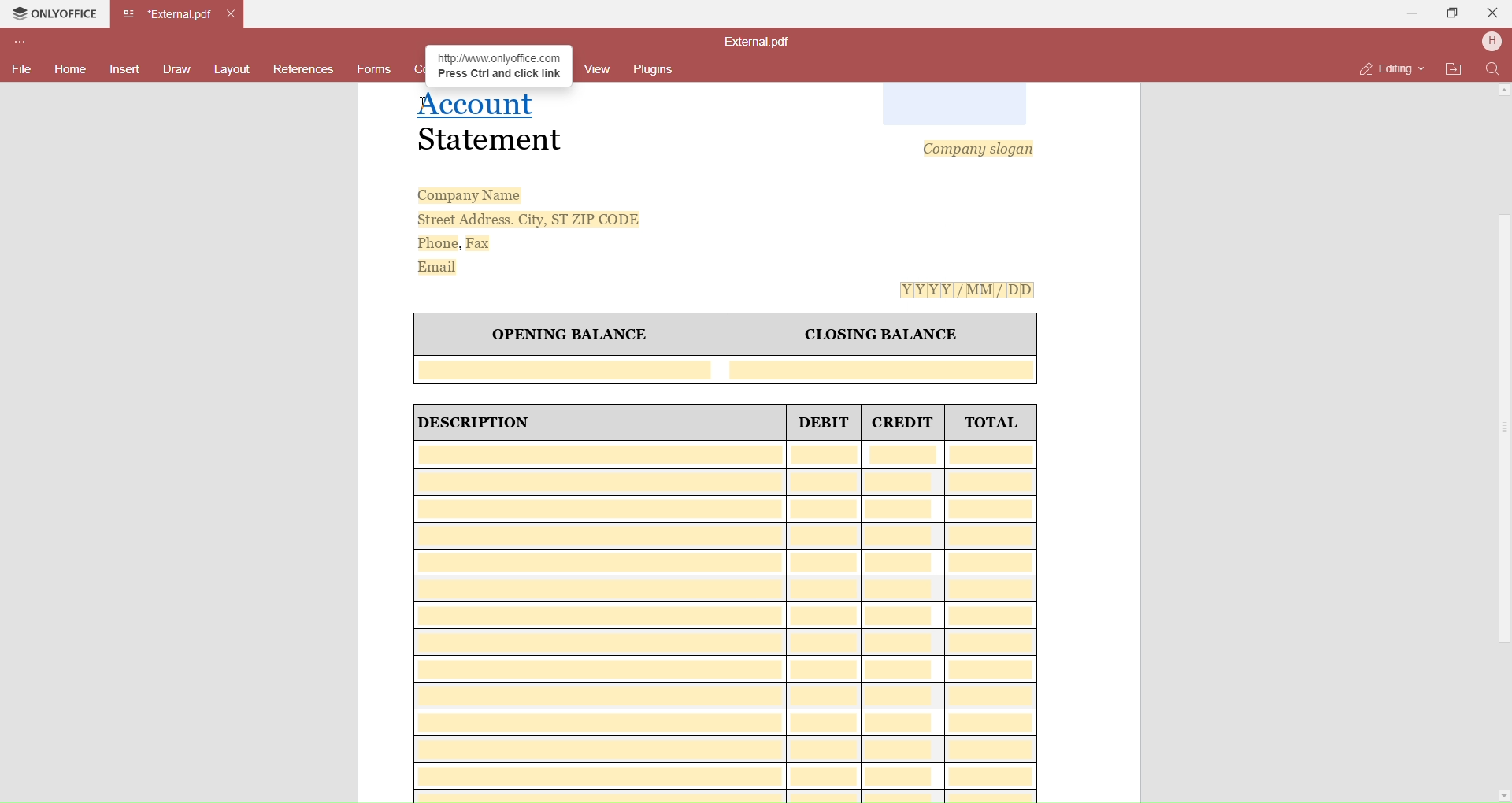 The image size is (1512, 803). I want to click on Editing, so click(1390, 69).